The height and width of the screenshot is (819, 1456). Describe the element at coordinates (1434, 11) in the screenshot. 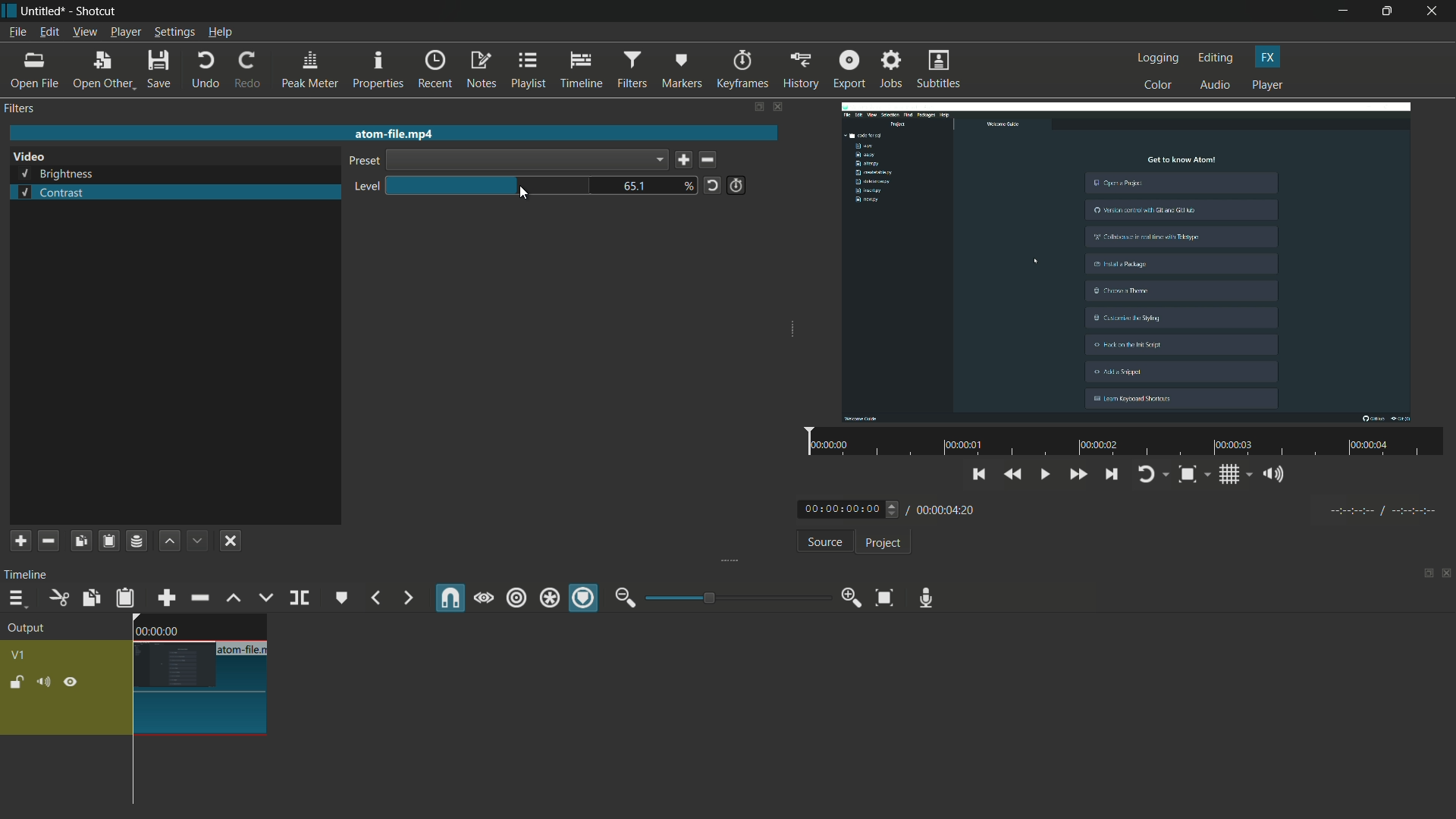

I see `close app` at that location.